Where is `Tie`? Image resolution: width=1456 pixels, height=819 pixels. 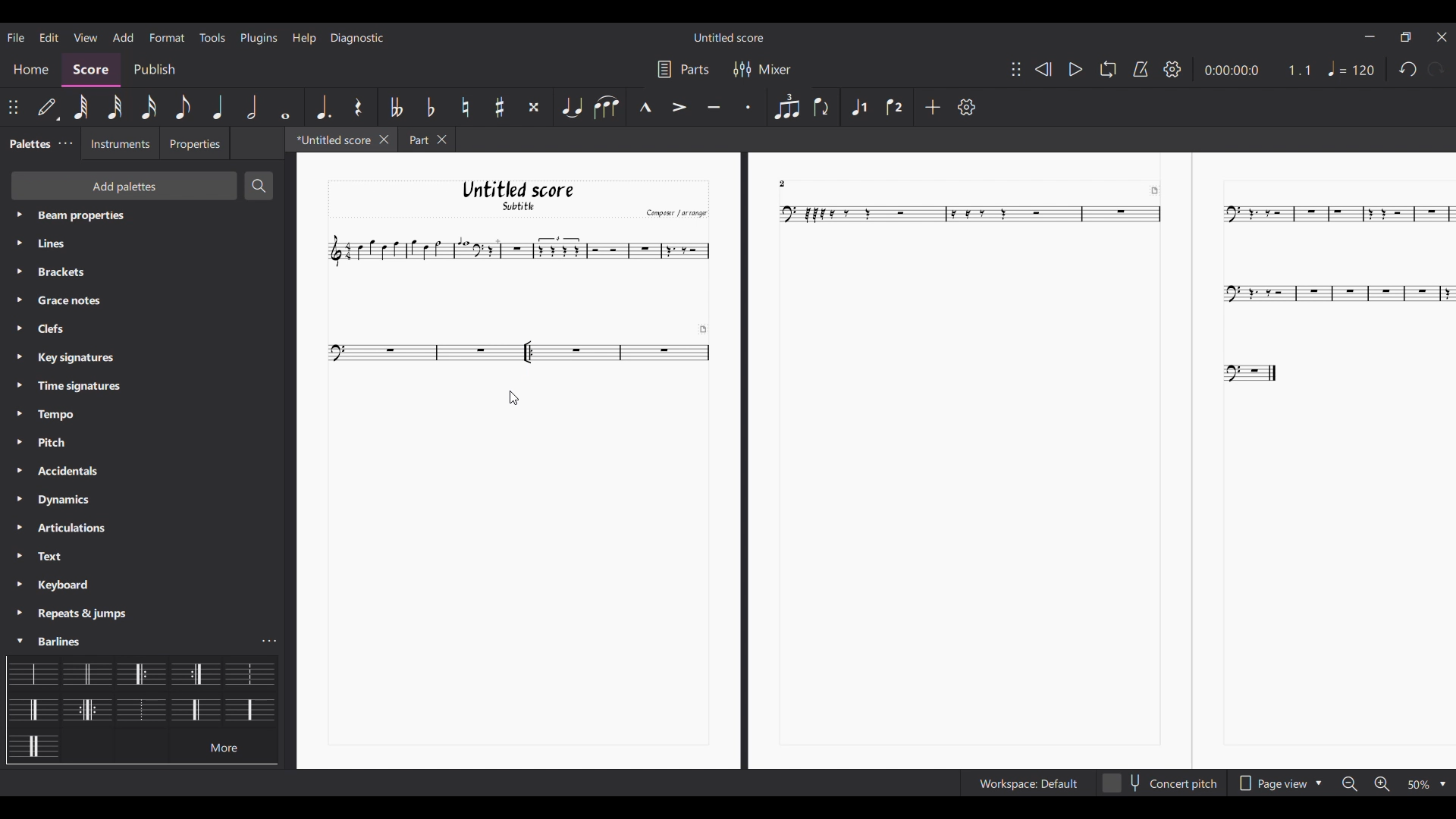
Tie is located at coordinates (572, 107).